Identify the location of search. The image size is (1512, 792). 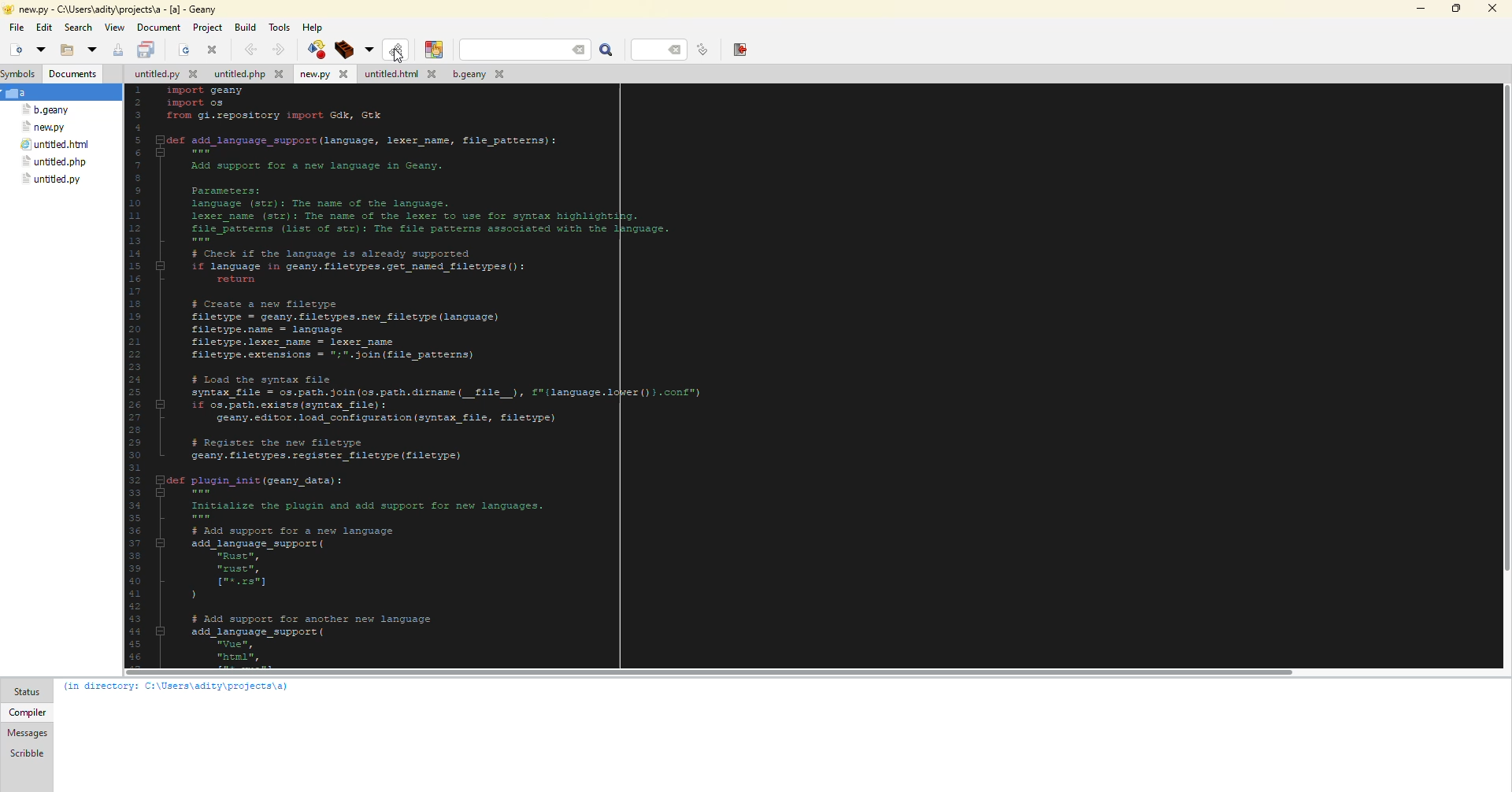
(80, 28).